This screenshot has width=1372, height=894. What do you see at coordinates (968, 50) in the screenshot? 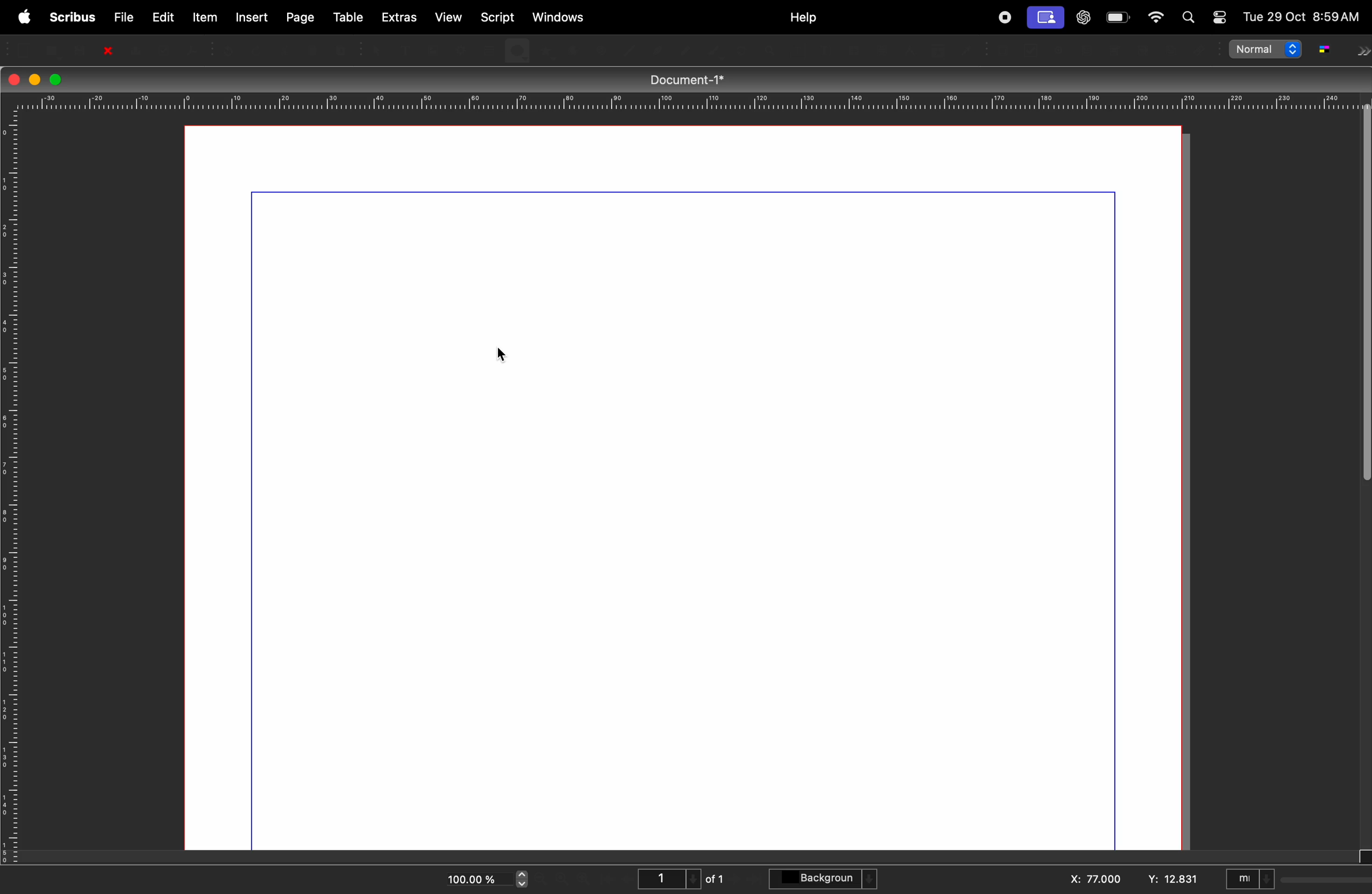
I see `eyedropper` at bounding box center [968, 50].